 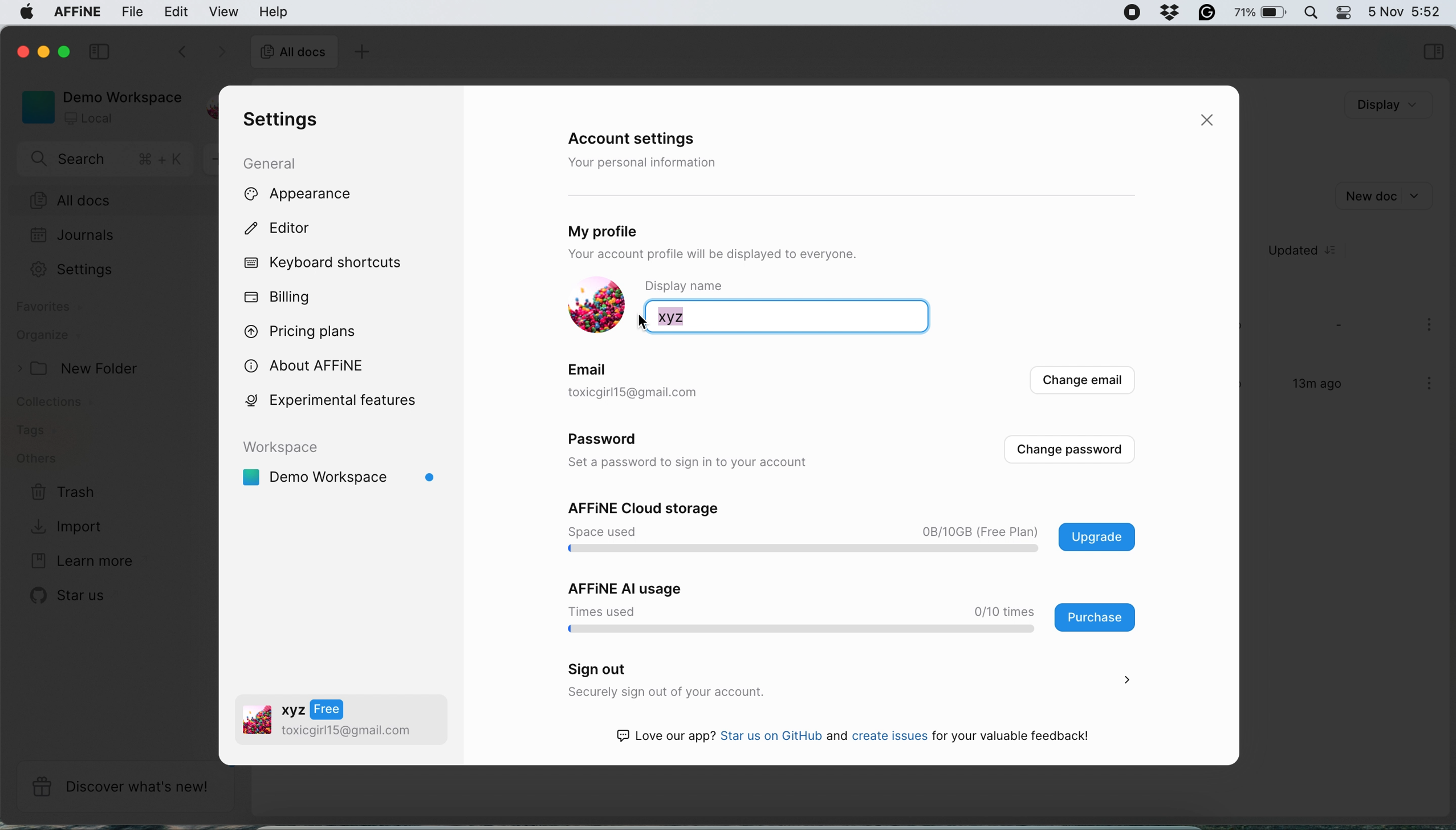 What do you see at coordinates (328, 722) in the screenshot?
I see `oa v2
toxicgirll5@gmail.com` at bounding box center [328, 722].